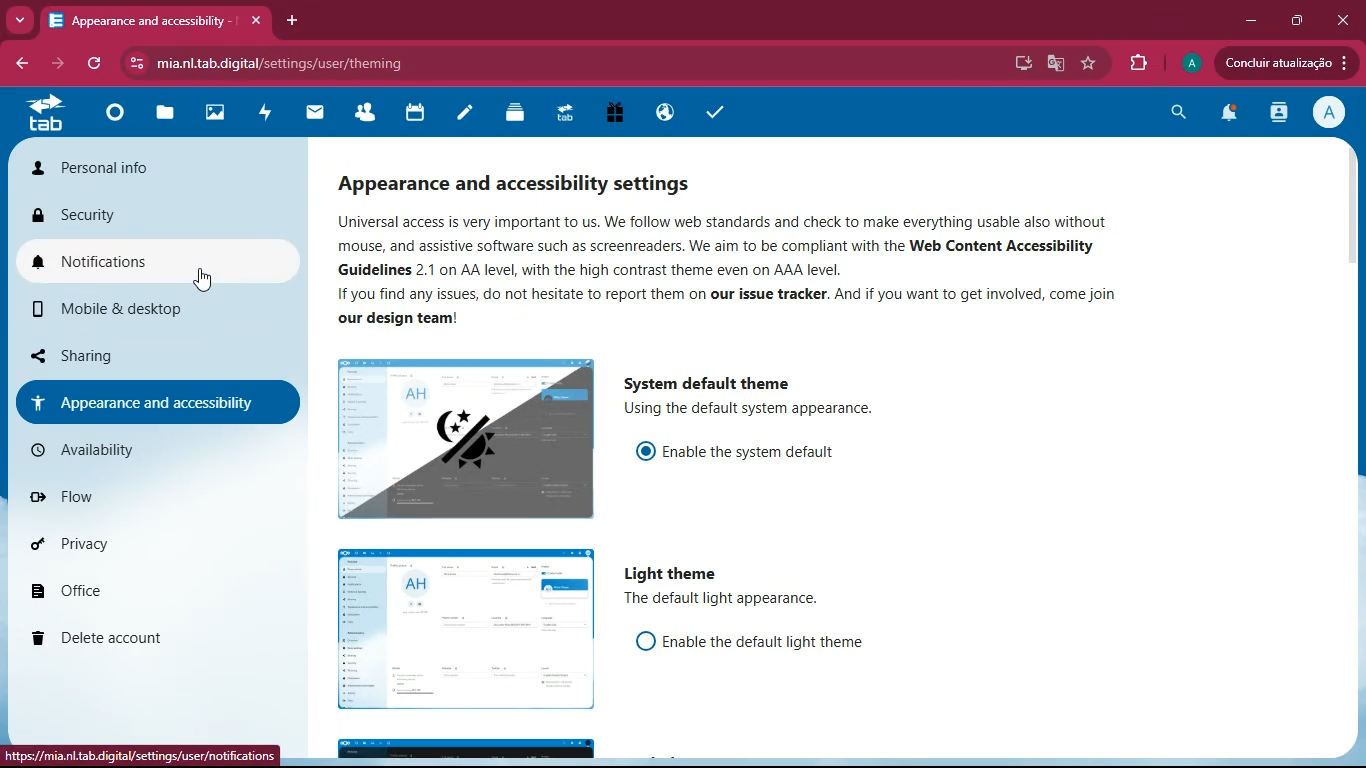 This screenshot has height=768, width=1366. I want to click on desktop, so click(1019, 63).